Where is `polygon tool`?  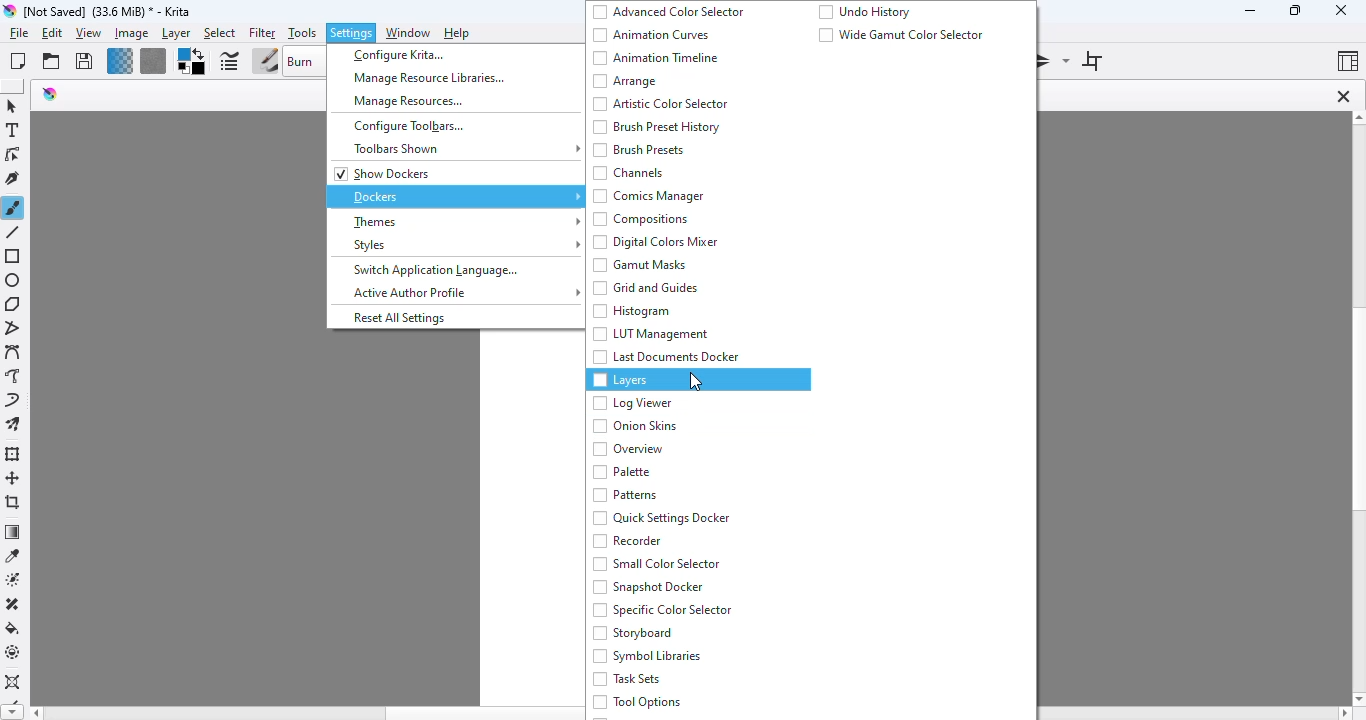
polygon tool is located at coordinates (13, 304).